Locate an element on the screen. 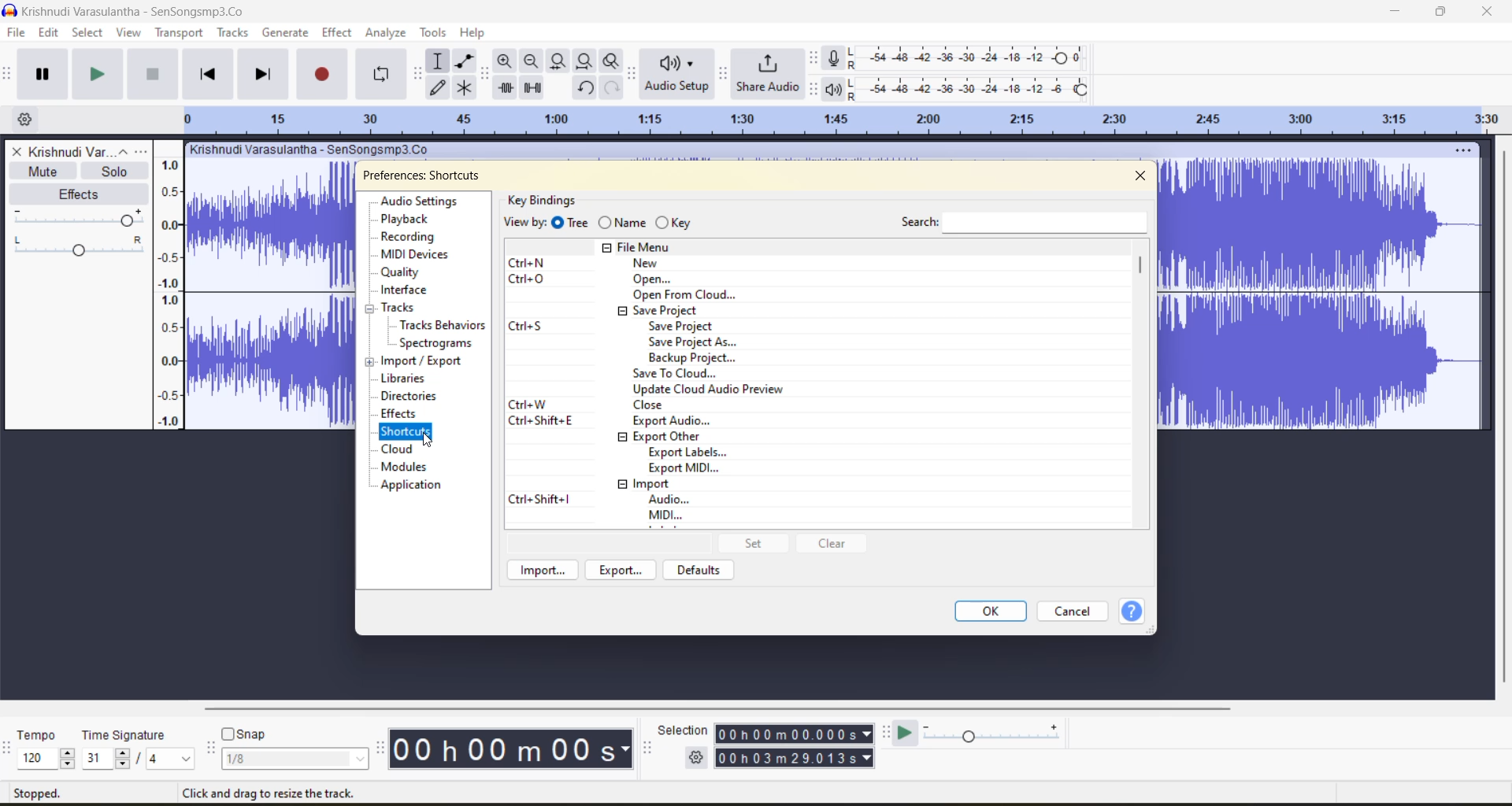 The width and height of the screenshot is (1512, 806). track setting is located at coordinates (1463, 150).